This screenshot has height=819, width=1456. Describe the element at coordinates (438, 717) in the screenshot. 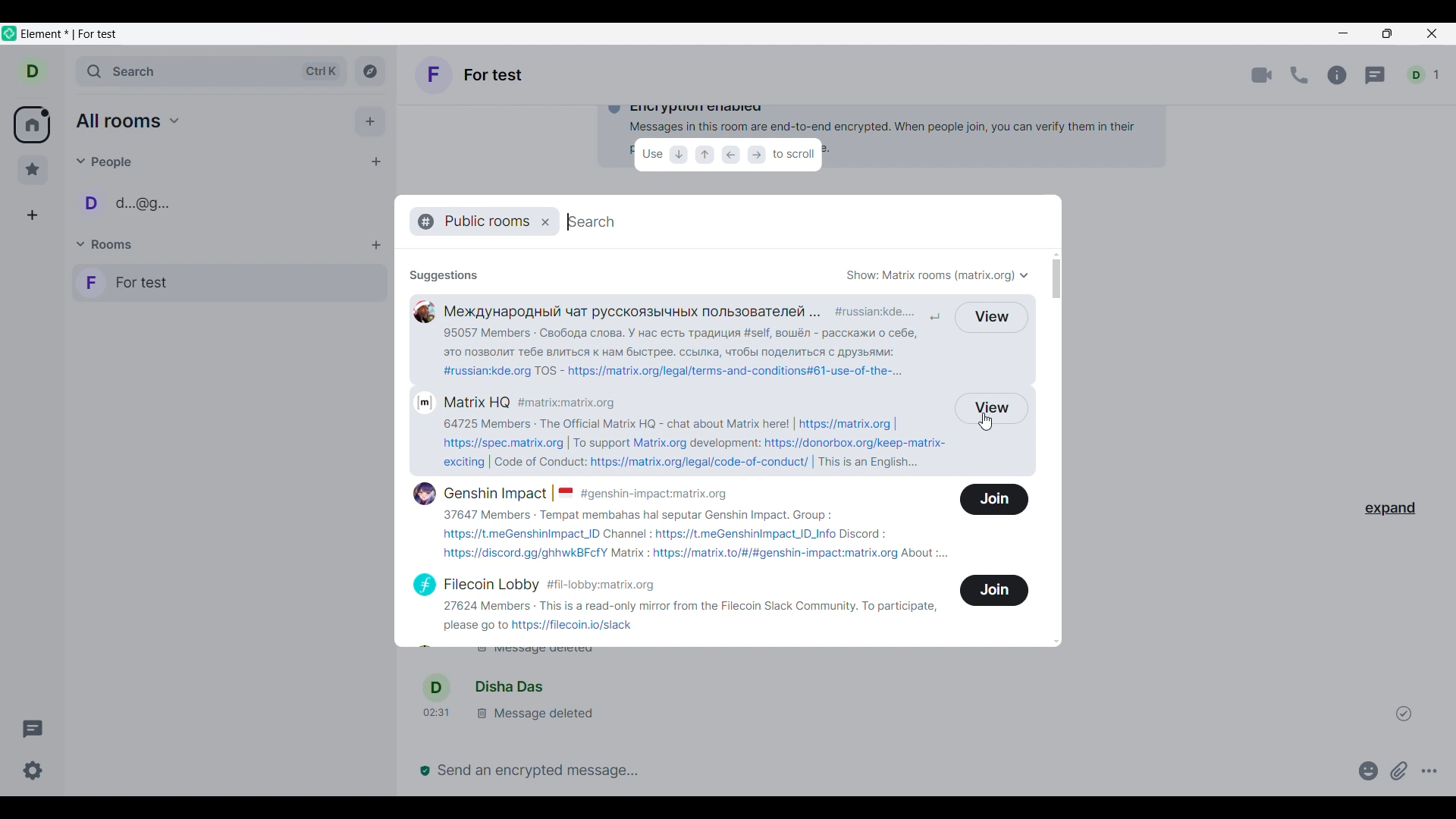

I see `02:31` at that location.